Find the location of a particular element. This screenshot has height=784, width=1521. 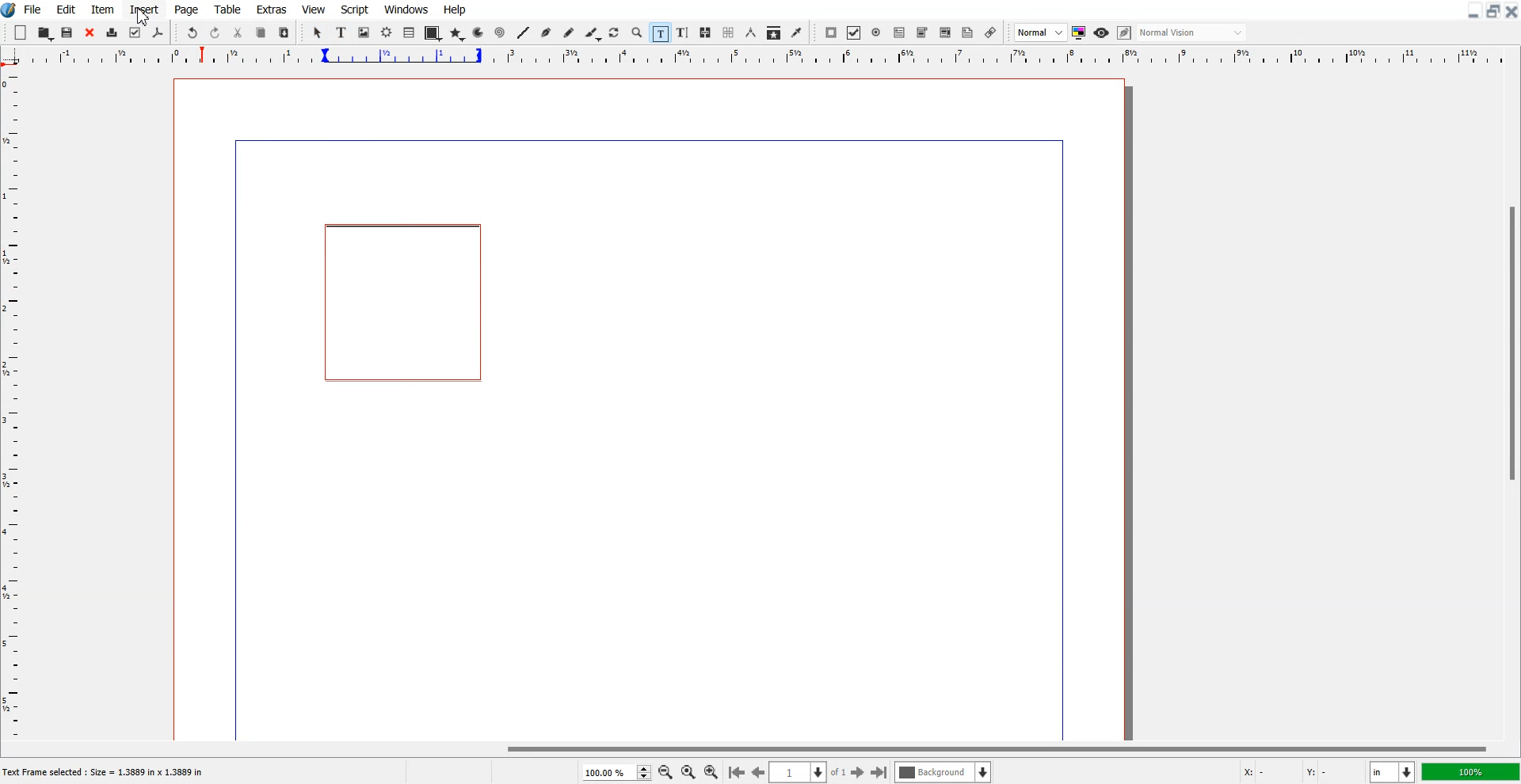

Vertical Scroll bar is located at coordinates (1511, 404).